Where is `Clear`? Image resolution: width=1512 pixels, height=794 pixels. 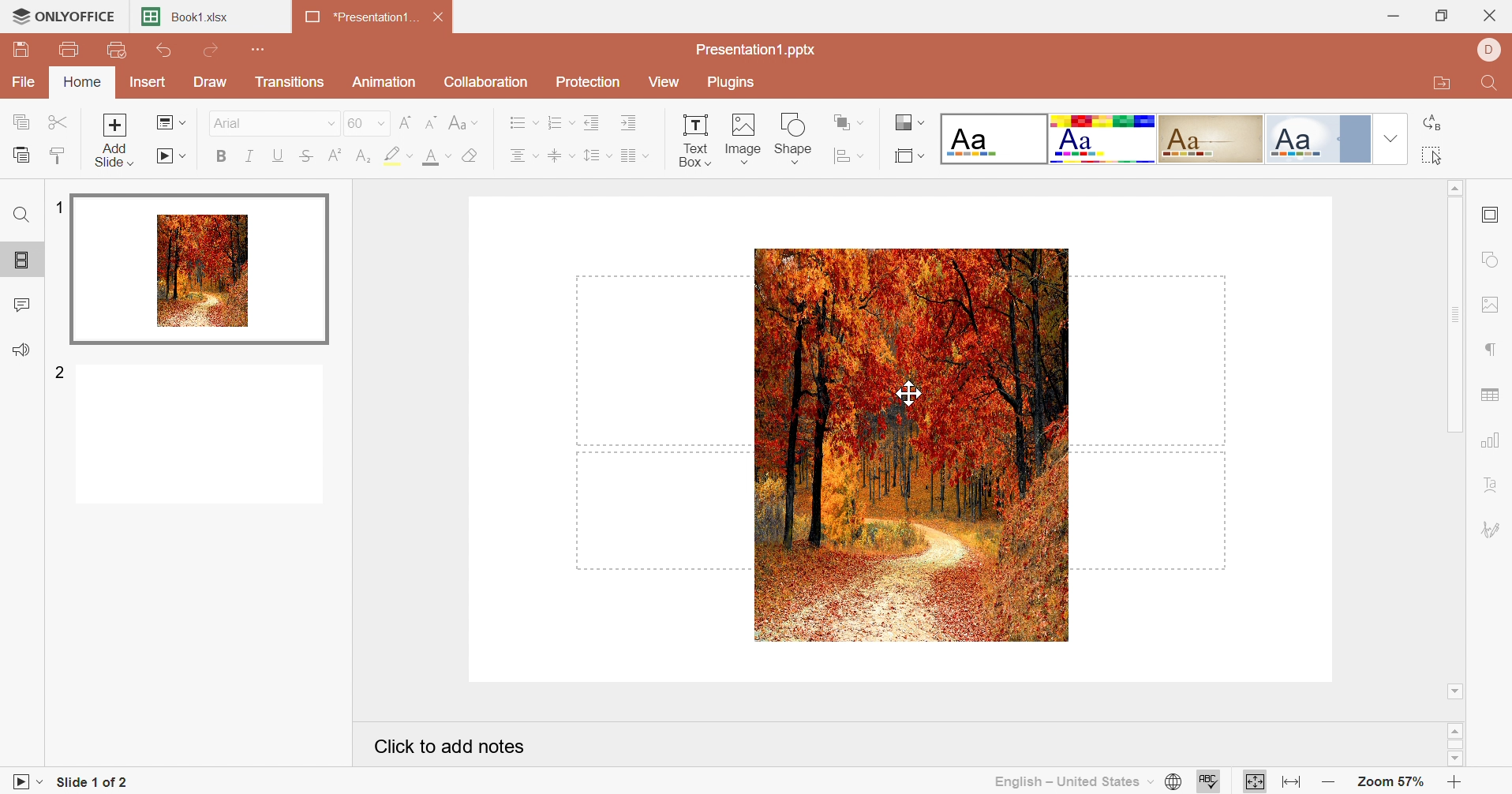 Clear is located at coordinates (472, 158).